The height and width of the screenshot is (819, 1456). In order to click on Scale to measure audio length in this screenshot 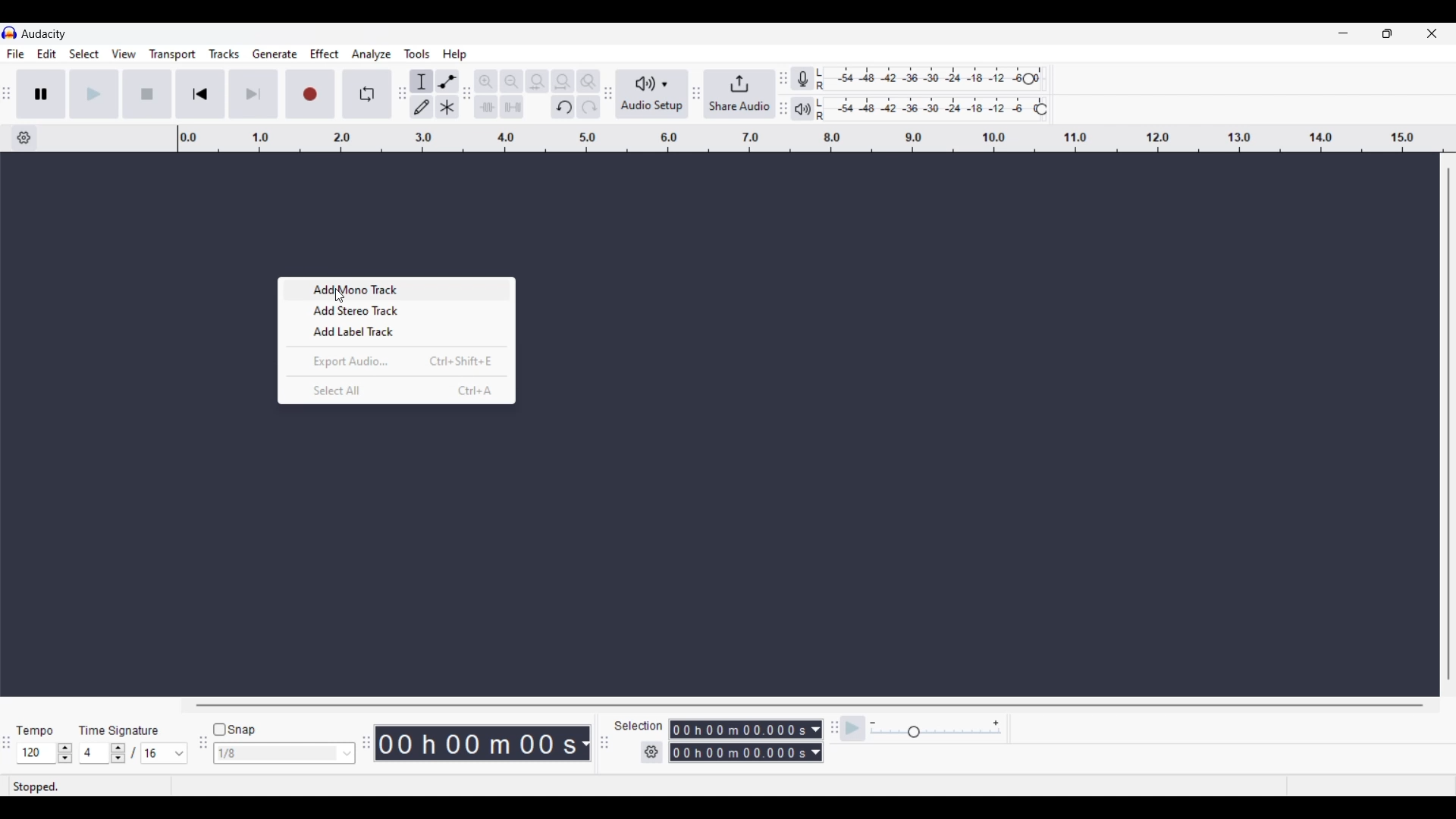, I will do `click(817, 139)`.